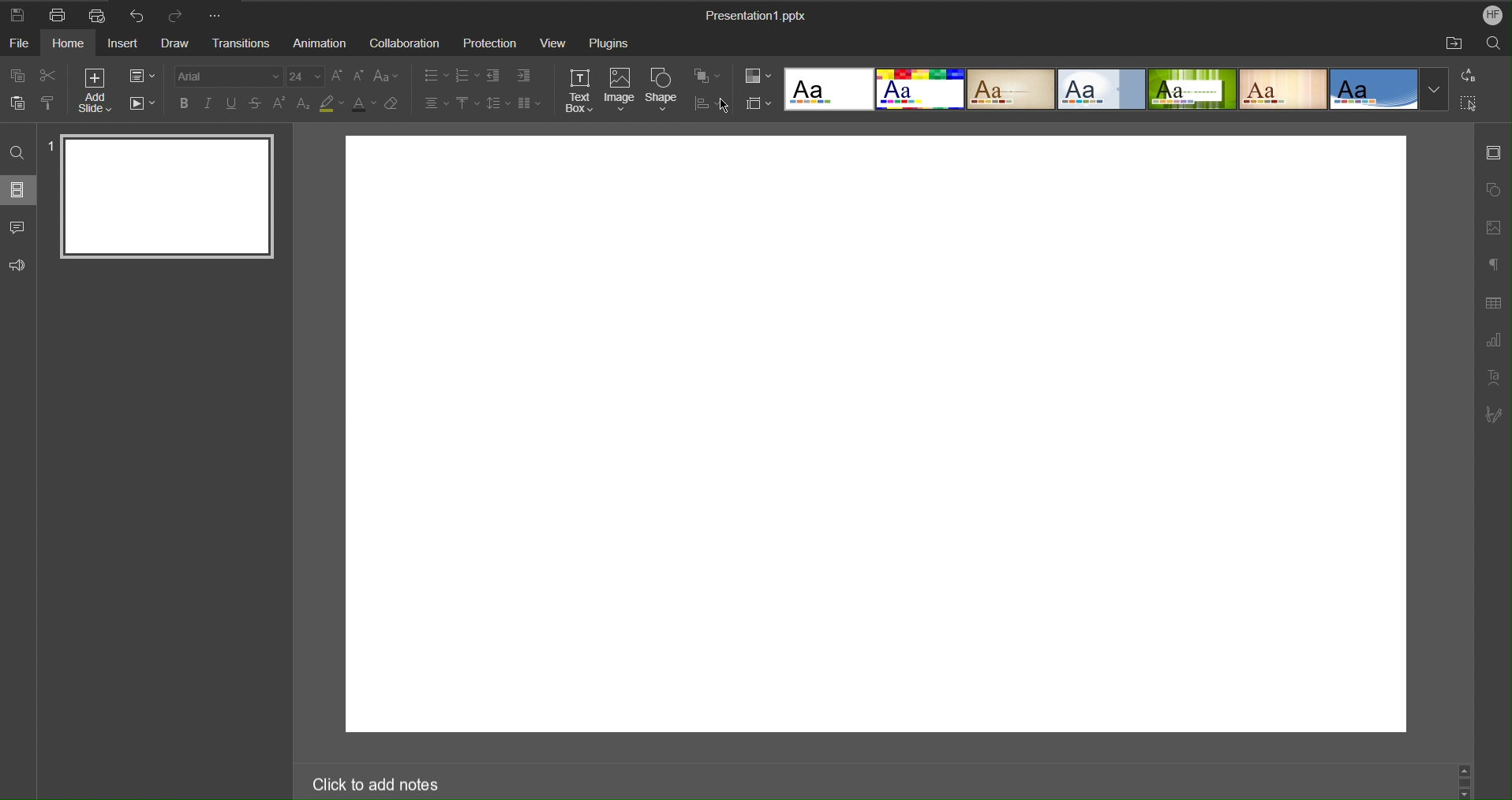 Image resolution: width=1512 pixels, height=800 pixels. What do you see at coordinates (1493, 264) in the screenshot?
I see `Paragraph Settings` at bounding box center [1493, 264].